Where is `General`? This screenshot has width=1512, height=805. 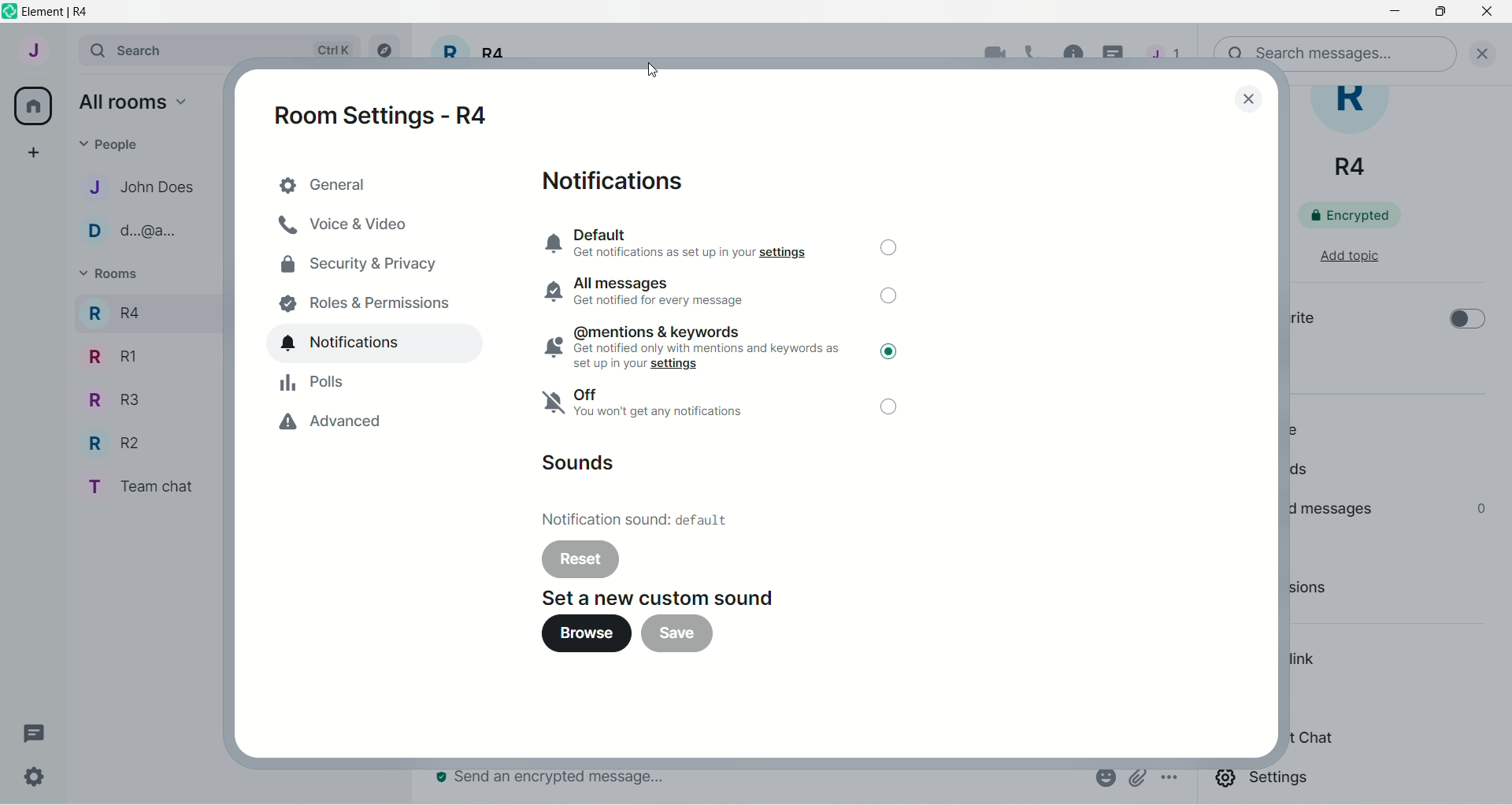
General is located at coordinates (372, 184).